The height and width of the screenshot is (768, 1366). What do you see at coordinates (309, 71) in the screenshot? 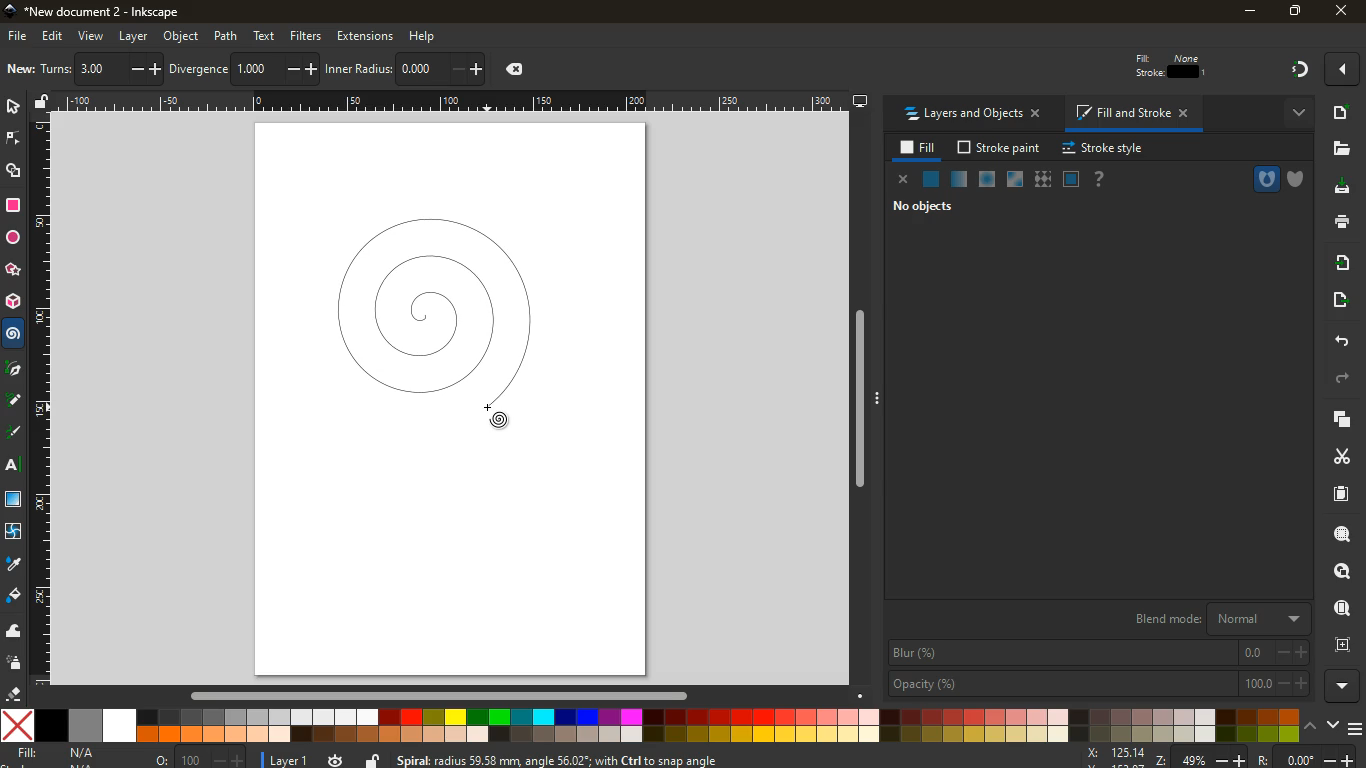
I see `middle` at bounding box center [309, 71].